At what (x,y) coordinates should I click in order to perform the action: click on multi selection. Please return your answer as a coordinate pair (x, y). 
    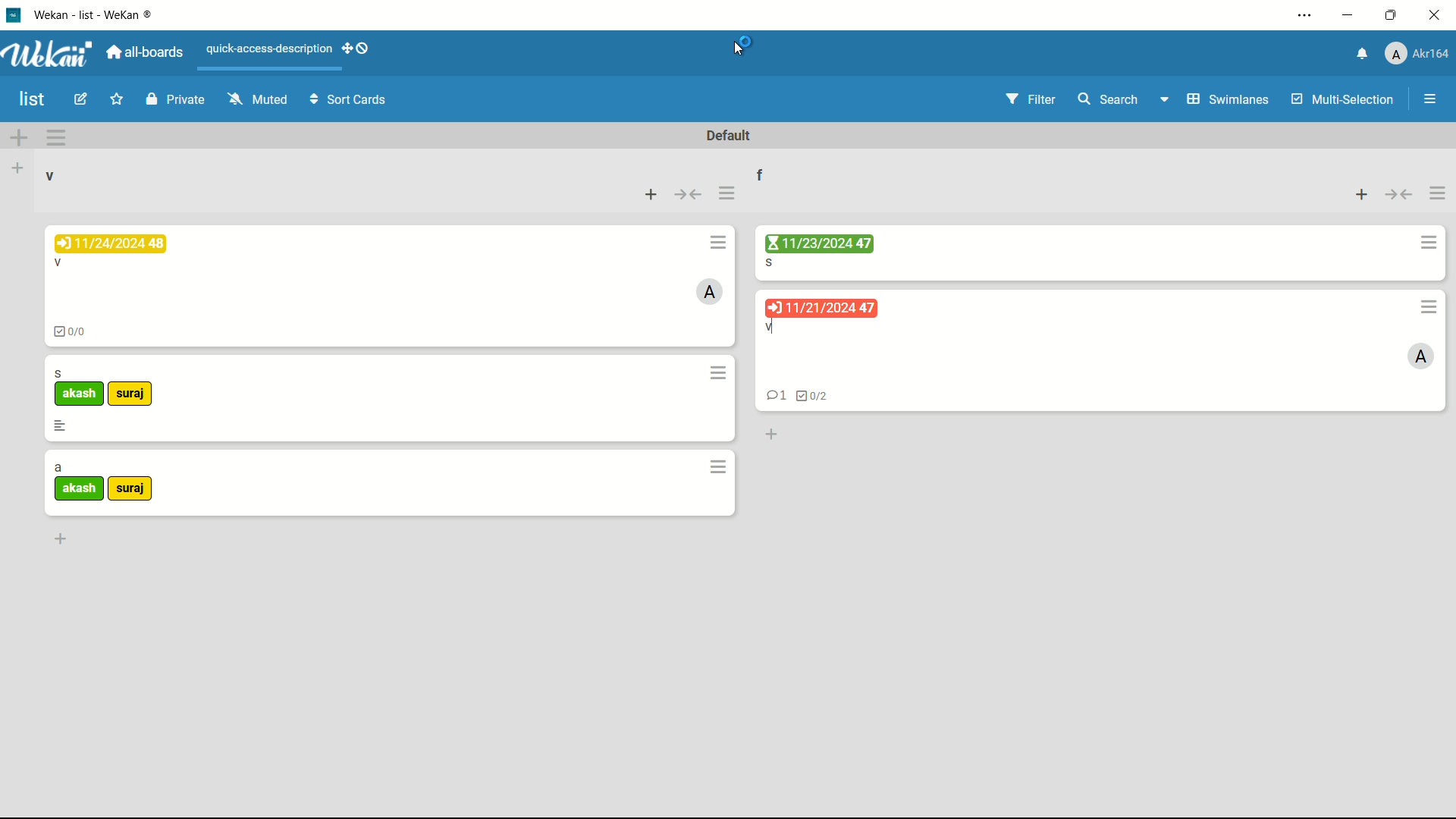
    Looking at the image, I should click on (1345, 101).